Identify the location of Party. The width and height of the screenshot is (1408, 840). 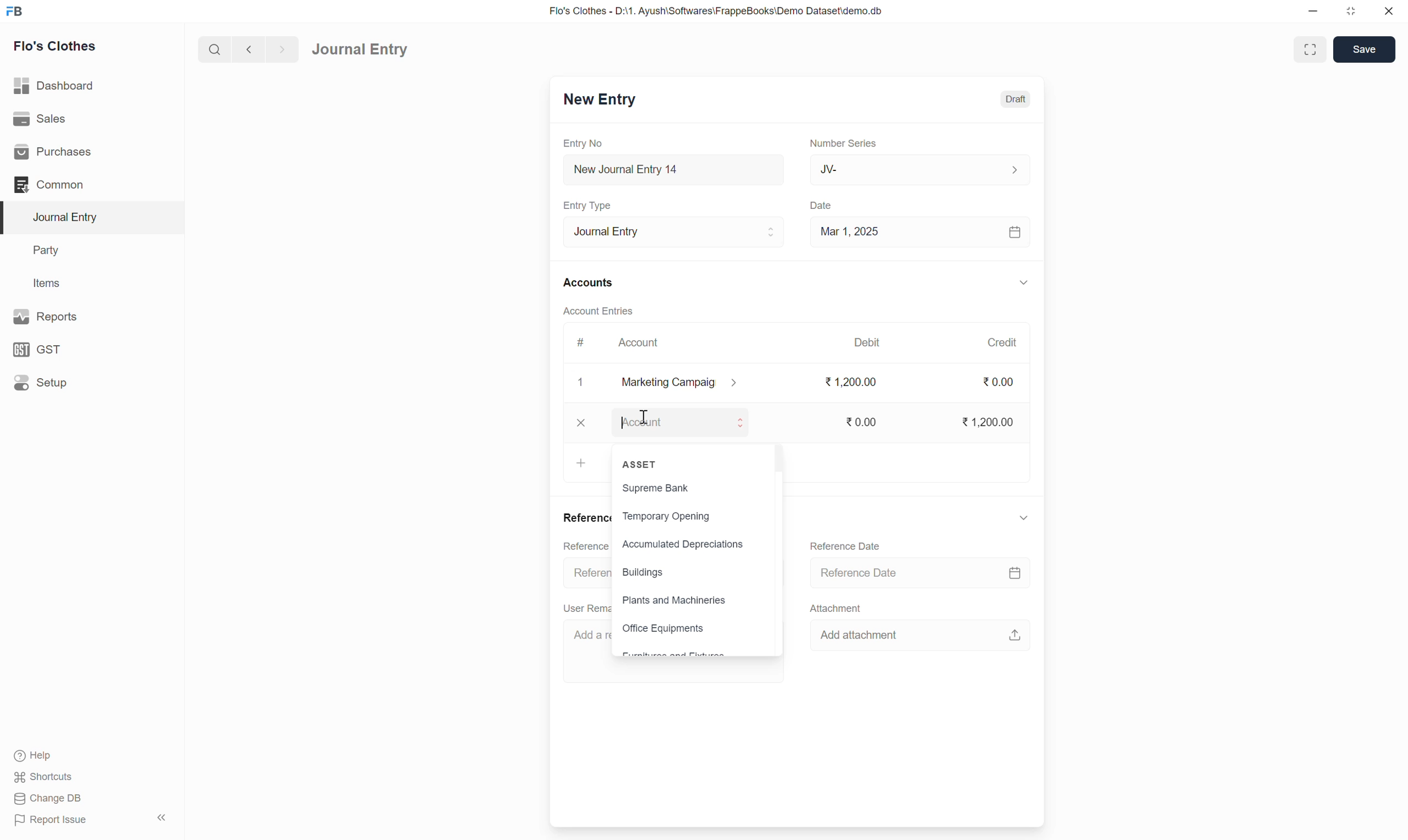
(49, 251).